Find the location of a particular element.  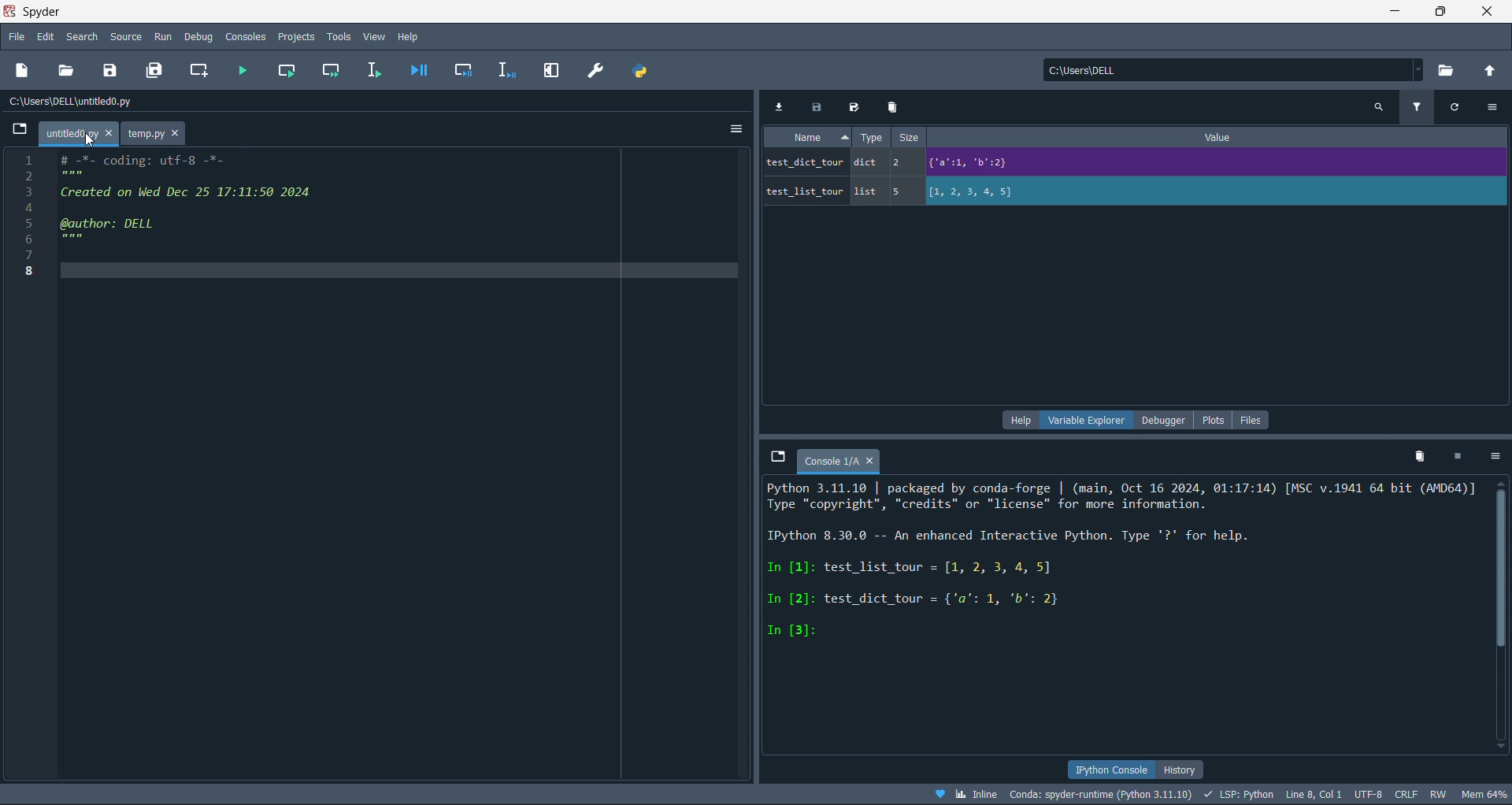

save data is located at coordinates (815, 104).